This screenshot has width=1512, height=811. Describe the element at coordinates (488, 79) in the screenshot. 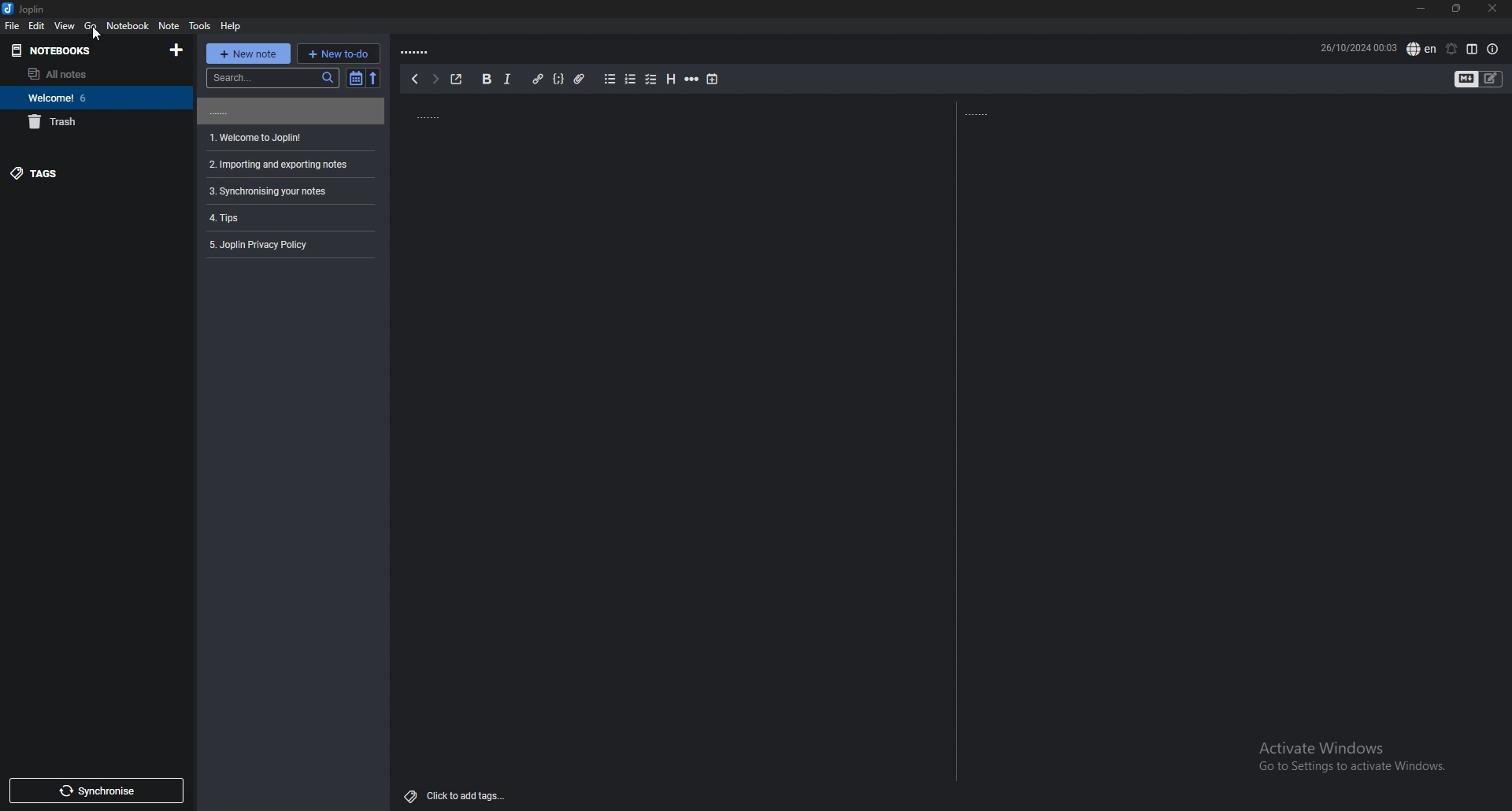

I see `bold` at that location.